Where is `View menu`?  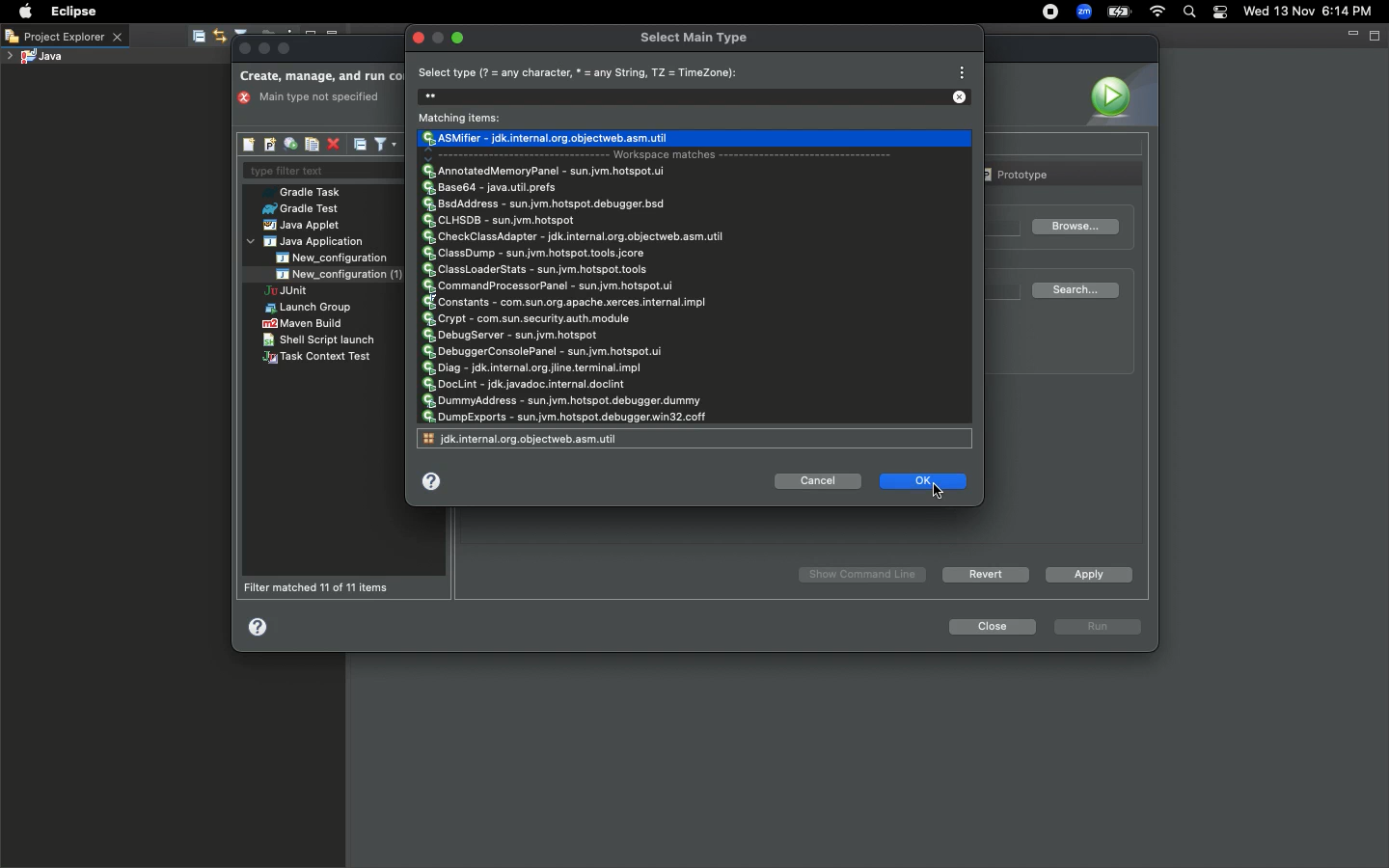
View menu is located at coordinates (961, 71).